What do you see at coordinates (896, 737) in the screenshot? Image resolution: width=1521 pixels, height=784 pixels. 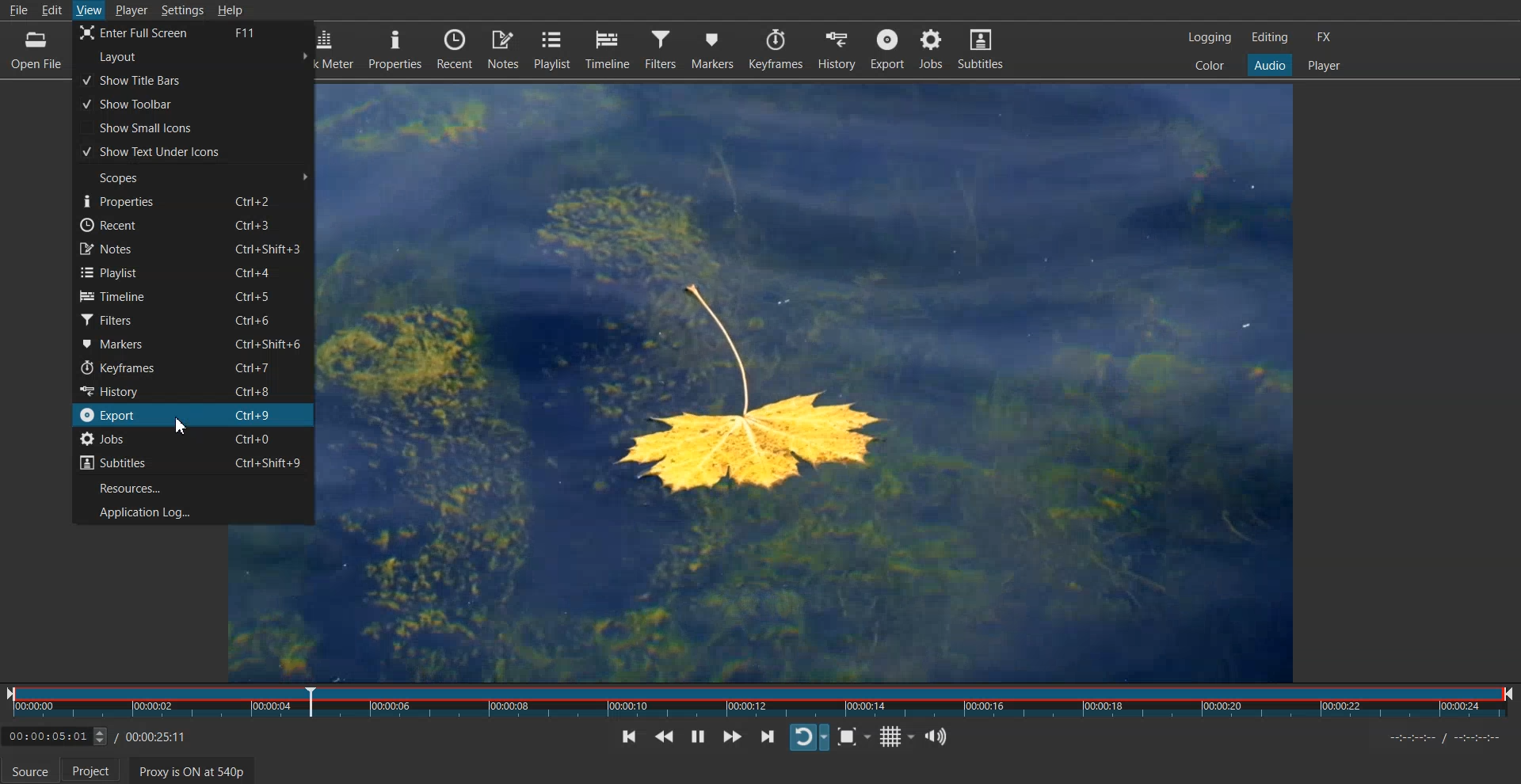 I see `Toggle grid display on the player` at bounding box center [896, 737].